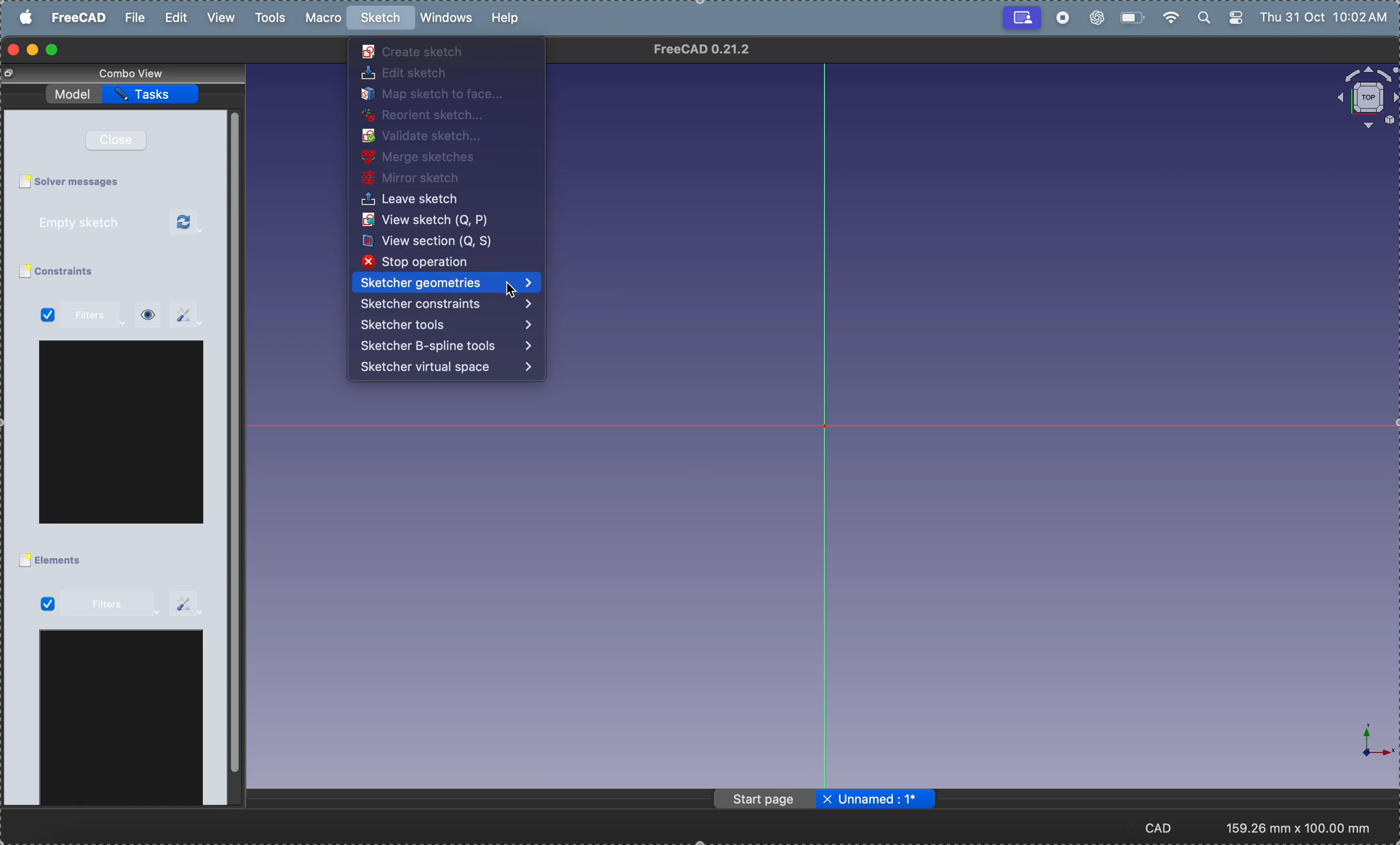  What do you see at coordinates (365, 48) in the screenshot?
I see `` at bounding box center [365, 48].